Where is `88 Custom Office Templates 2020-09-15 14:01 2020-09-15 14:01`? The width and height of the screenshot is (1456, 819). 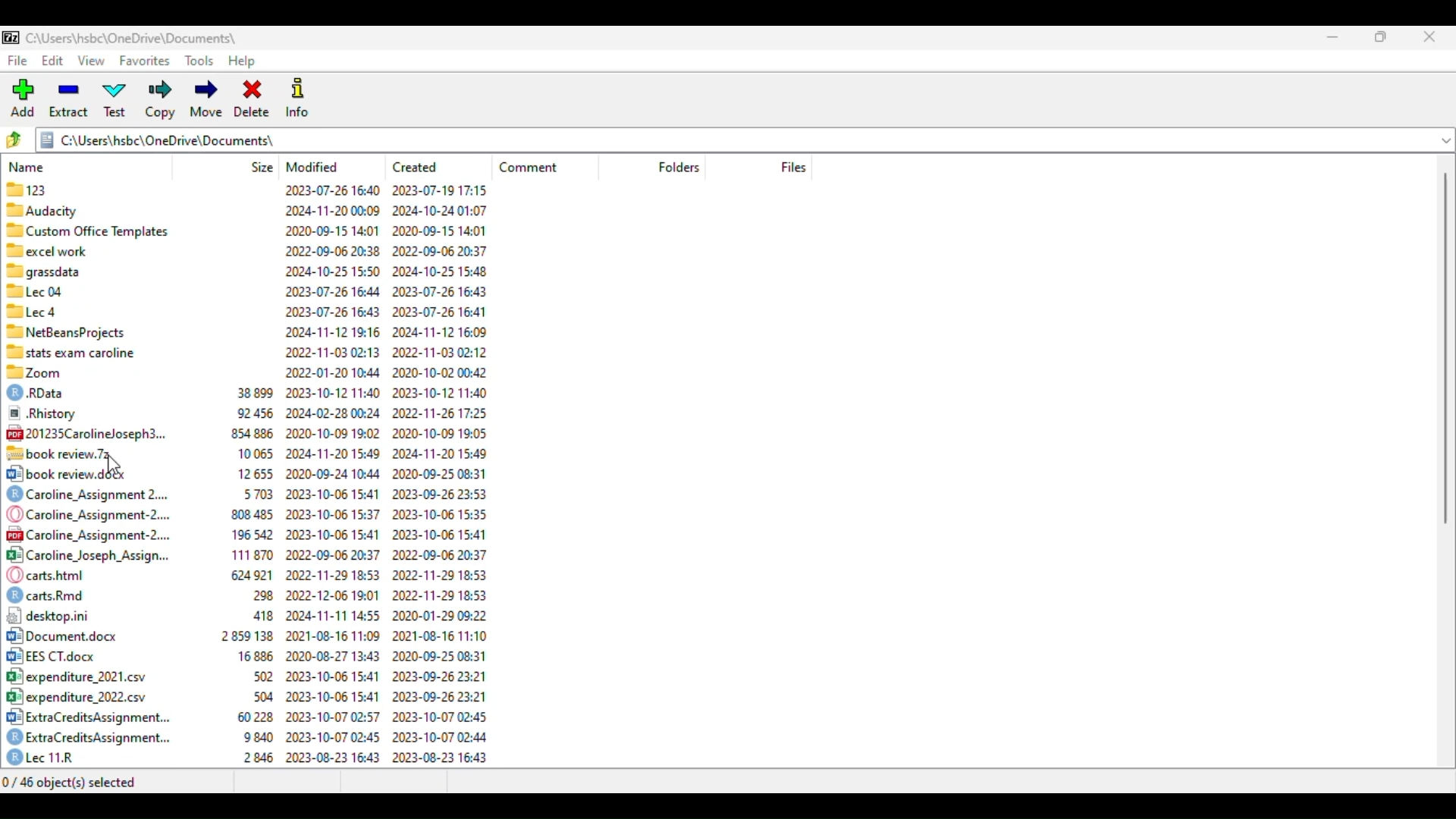
88 Custom Office Templates 2020-09-15 14:01 2020-09-15 14:01 is located at coordinates (243, 229).